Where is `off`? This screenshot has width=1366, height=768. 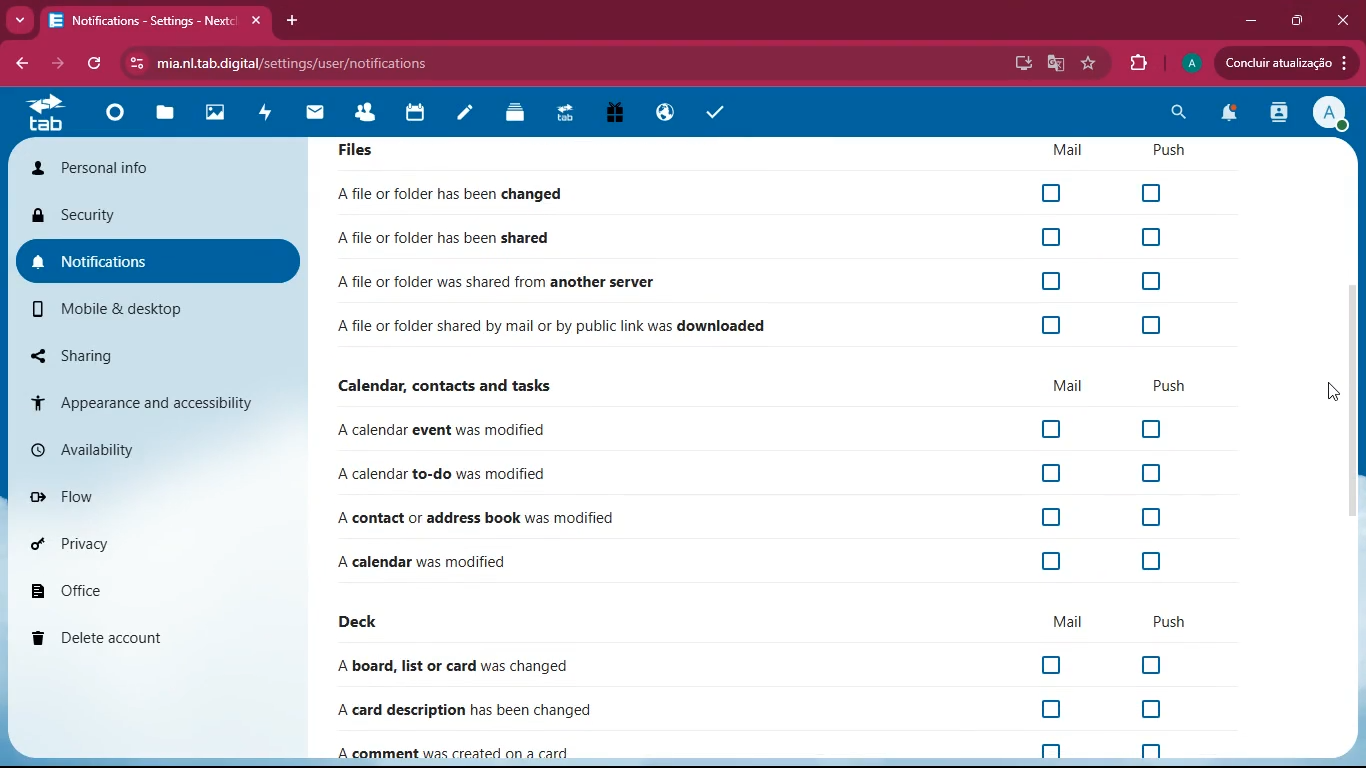 off is located at coordinates (1048, 748).